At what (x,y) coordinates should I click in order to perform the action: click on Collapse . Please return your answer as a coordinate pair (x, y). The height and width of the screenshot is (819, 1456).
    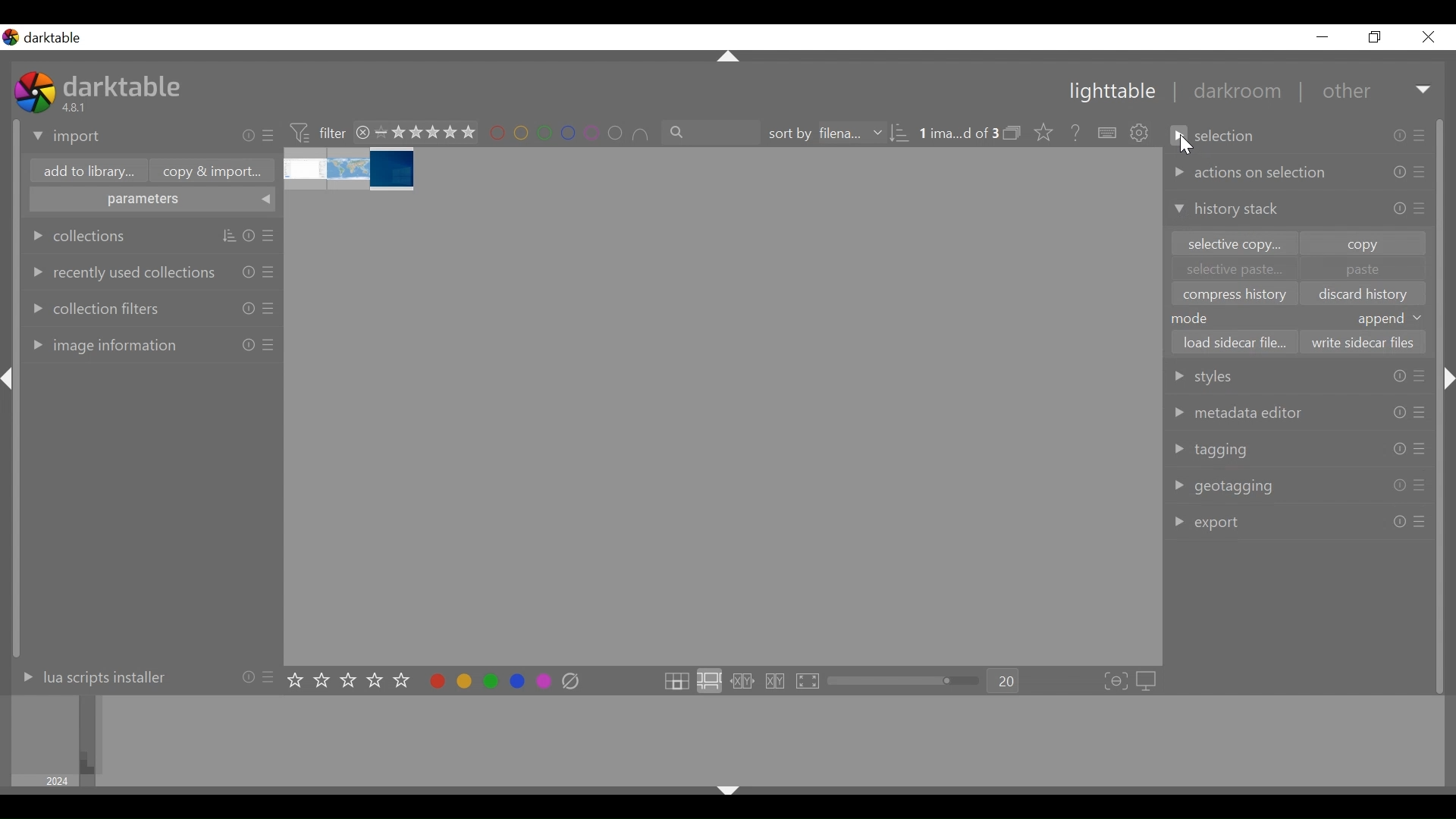
    Looking at the image, I should click on (730, 58).